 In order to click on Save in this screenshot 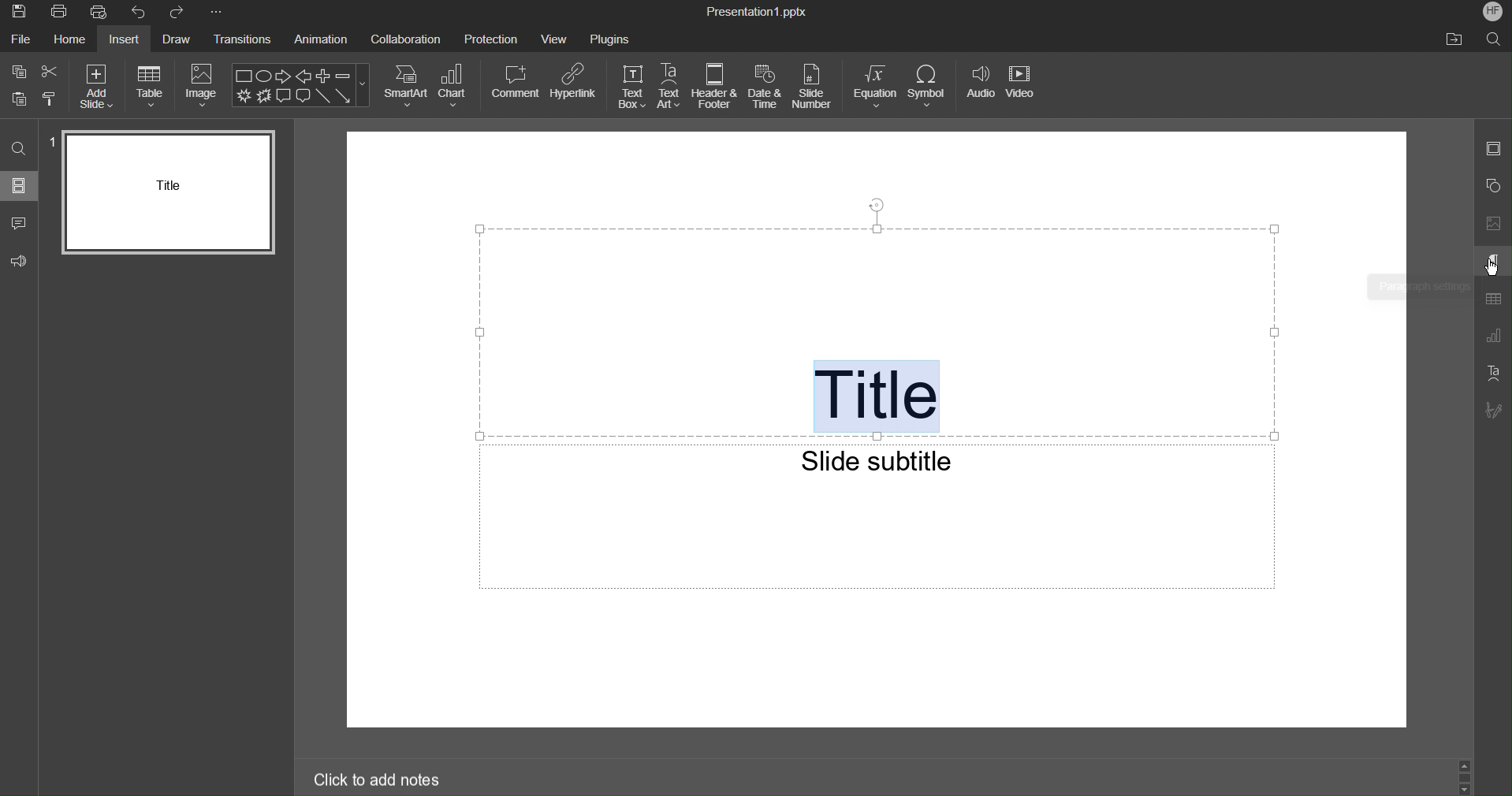, I will do `click(17, 13)`.